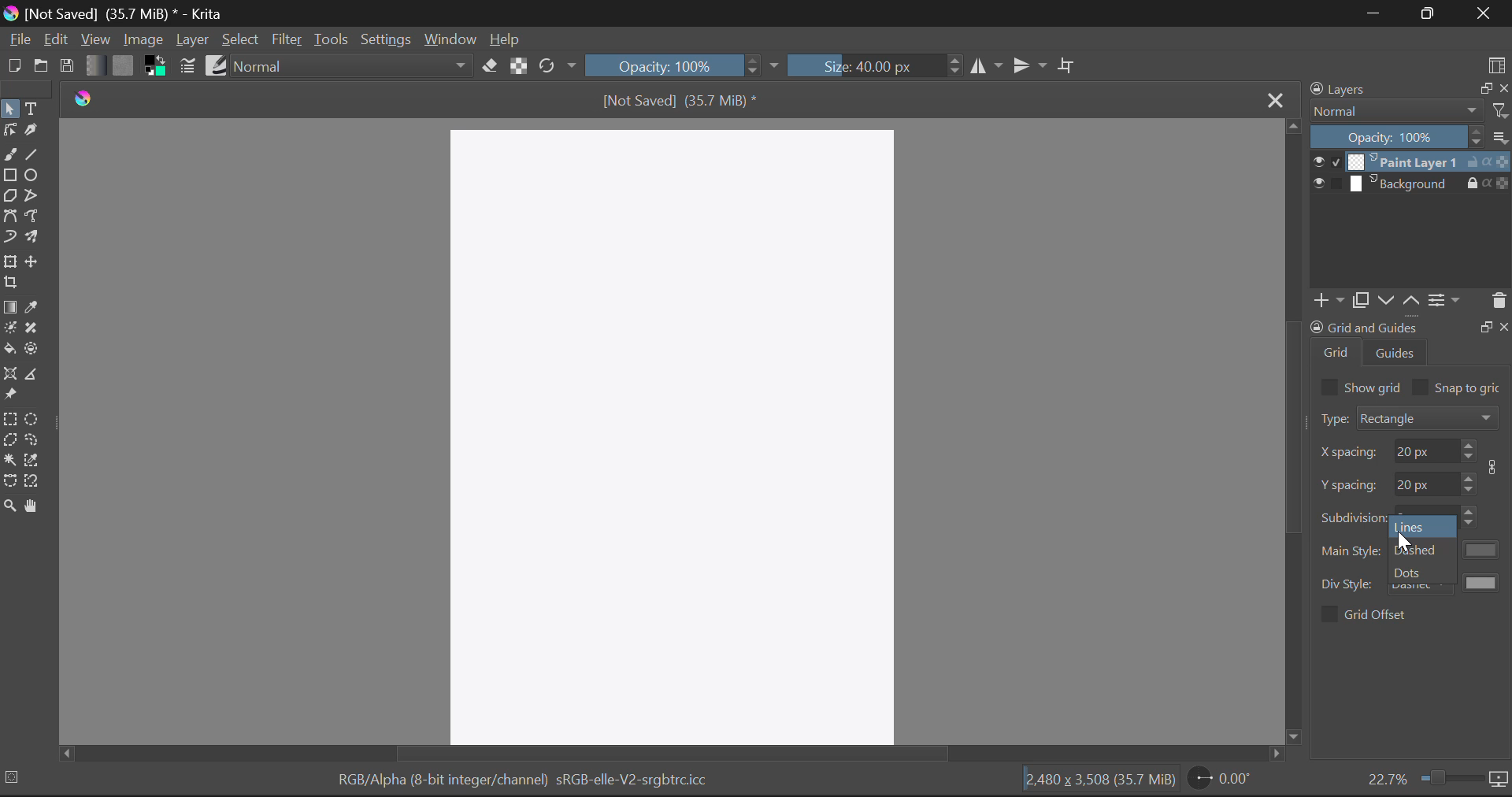  Describe the element at coordinates (95, 39) in the screenshot. I see `View` at that location.